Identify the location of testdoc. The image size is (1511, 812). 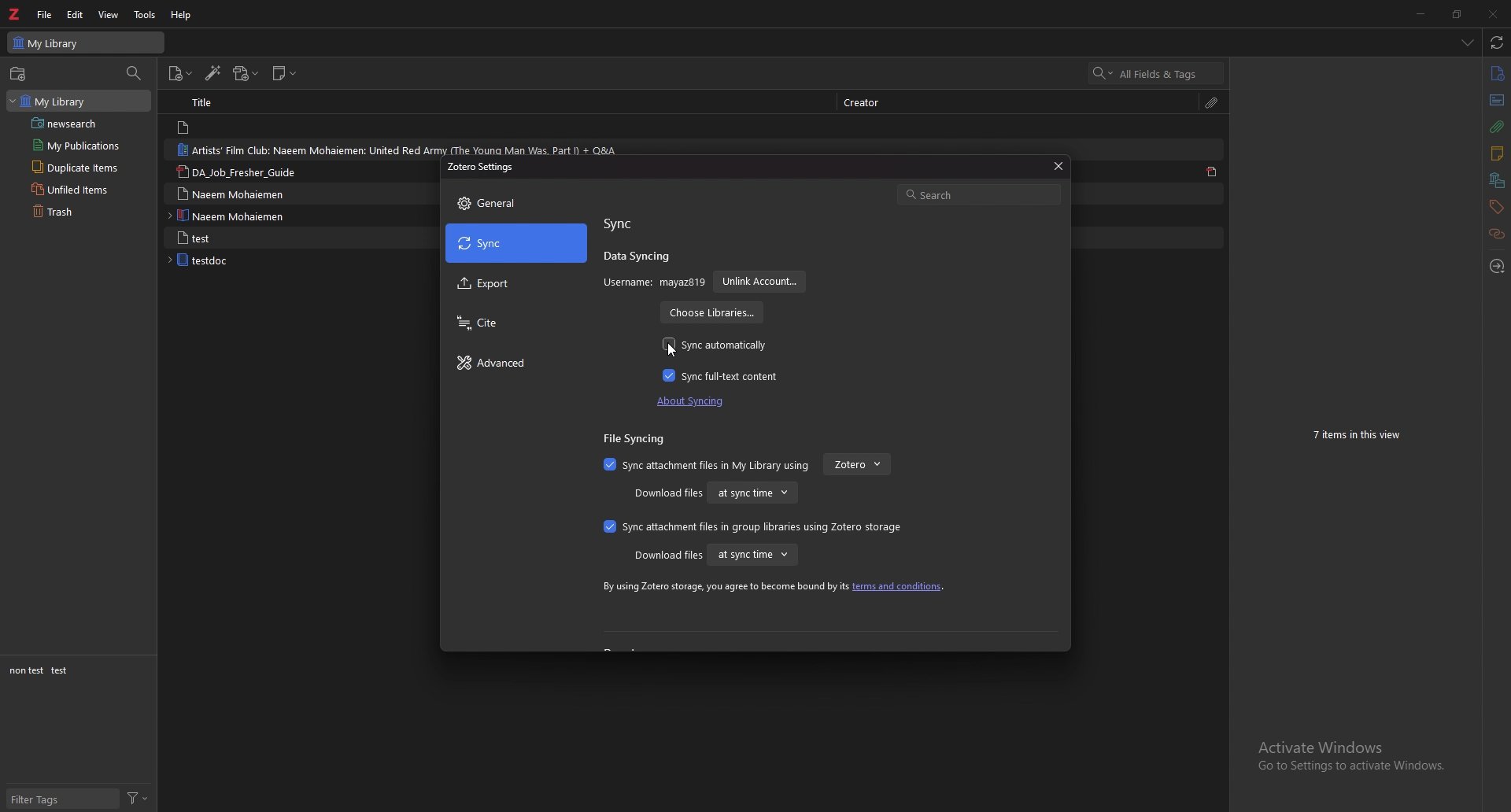
(233, 260).